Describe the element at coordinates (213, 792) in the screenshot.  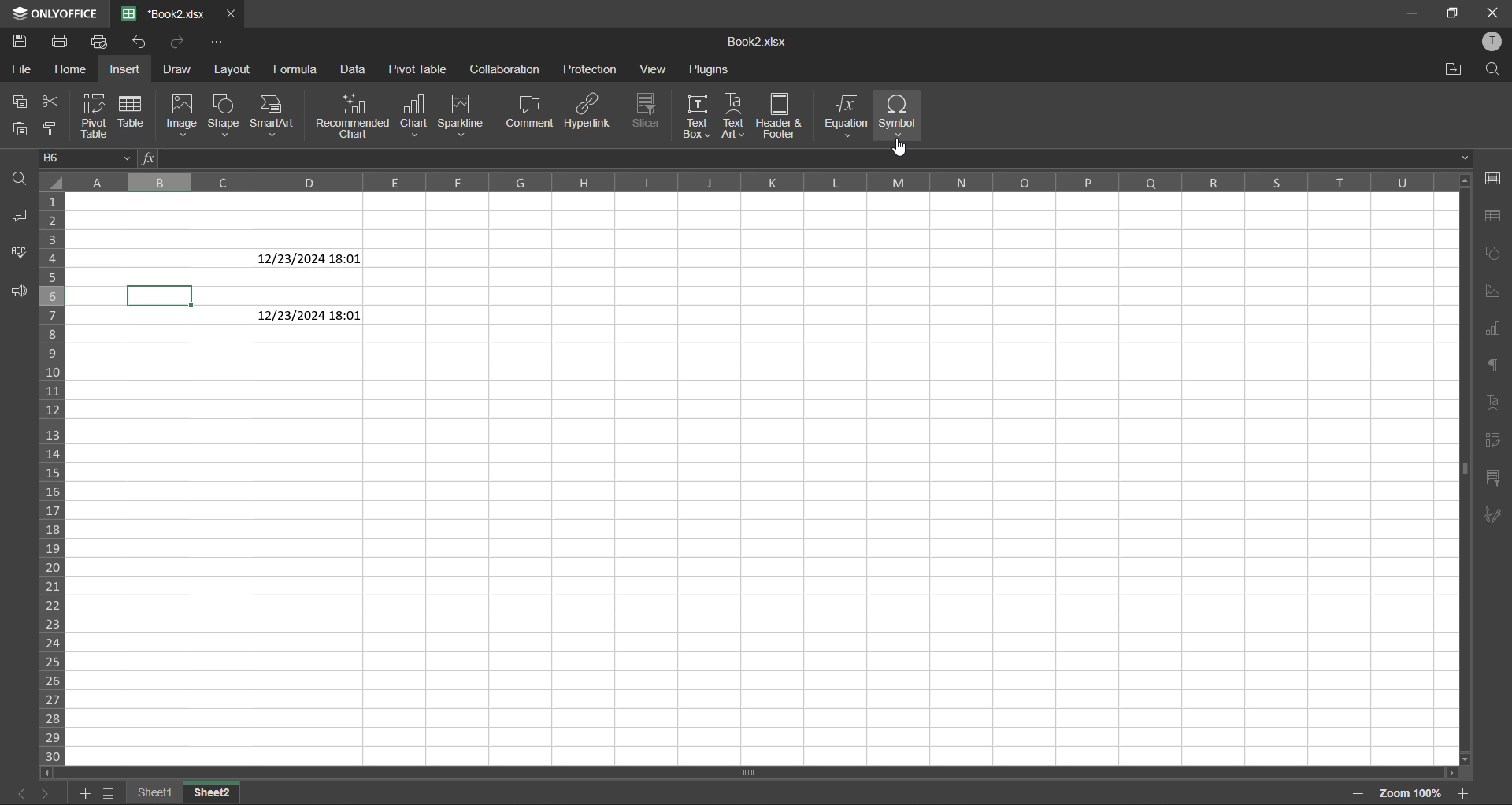
I see `sheet 2` at that location.